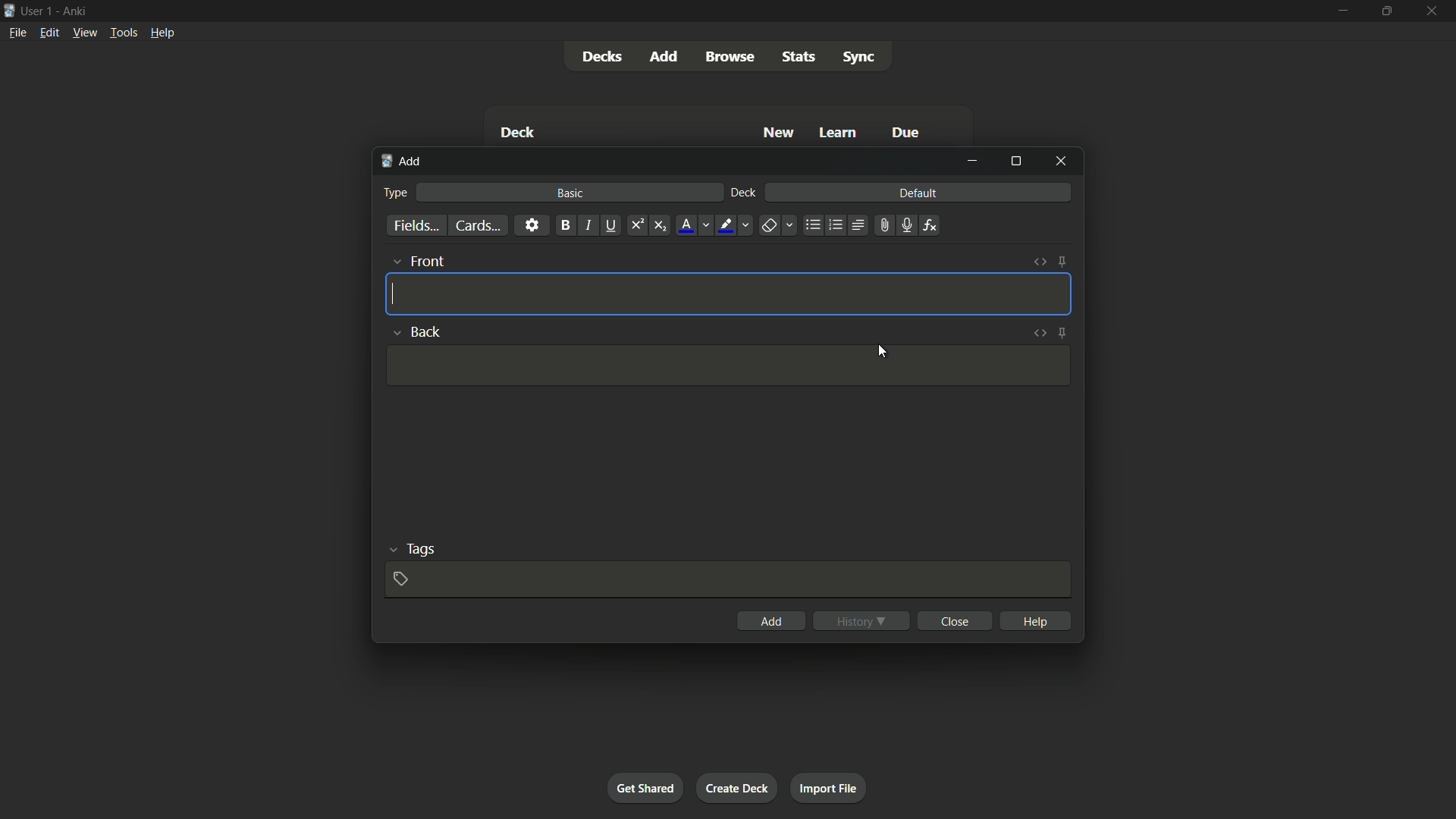  I want to click on close, so click(957, 620).